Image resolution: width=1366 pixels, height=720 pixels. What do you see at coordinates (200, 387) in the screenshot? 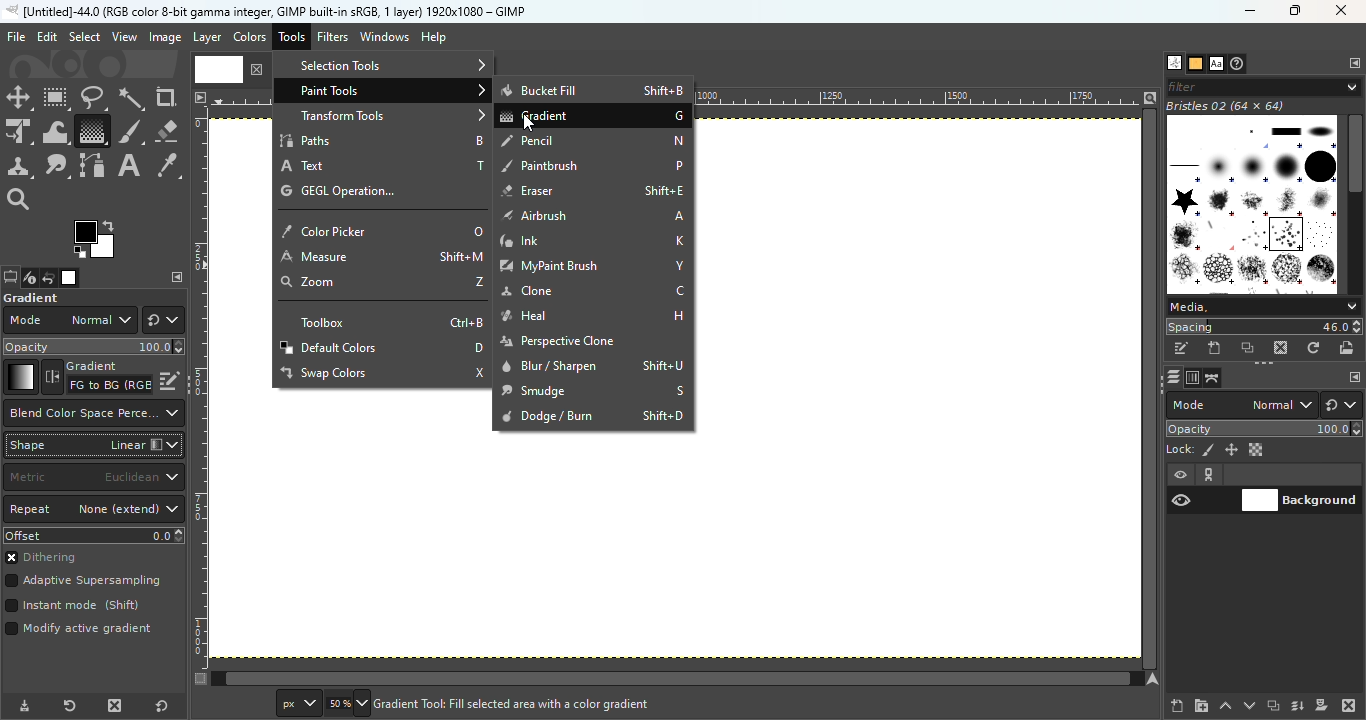
I see `Vertical ruler` at bounding box center [200, 387].